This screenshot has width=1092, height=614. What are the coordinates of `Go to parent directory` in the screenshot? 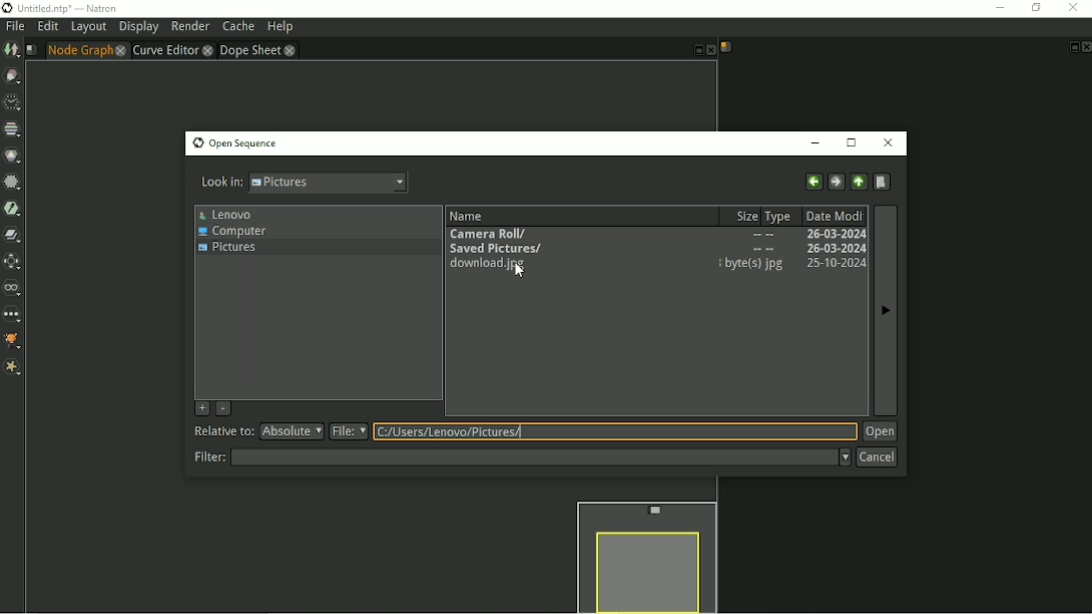 It's located at (858, 182).